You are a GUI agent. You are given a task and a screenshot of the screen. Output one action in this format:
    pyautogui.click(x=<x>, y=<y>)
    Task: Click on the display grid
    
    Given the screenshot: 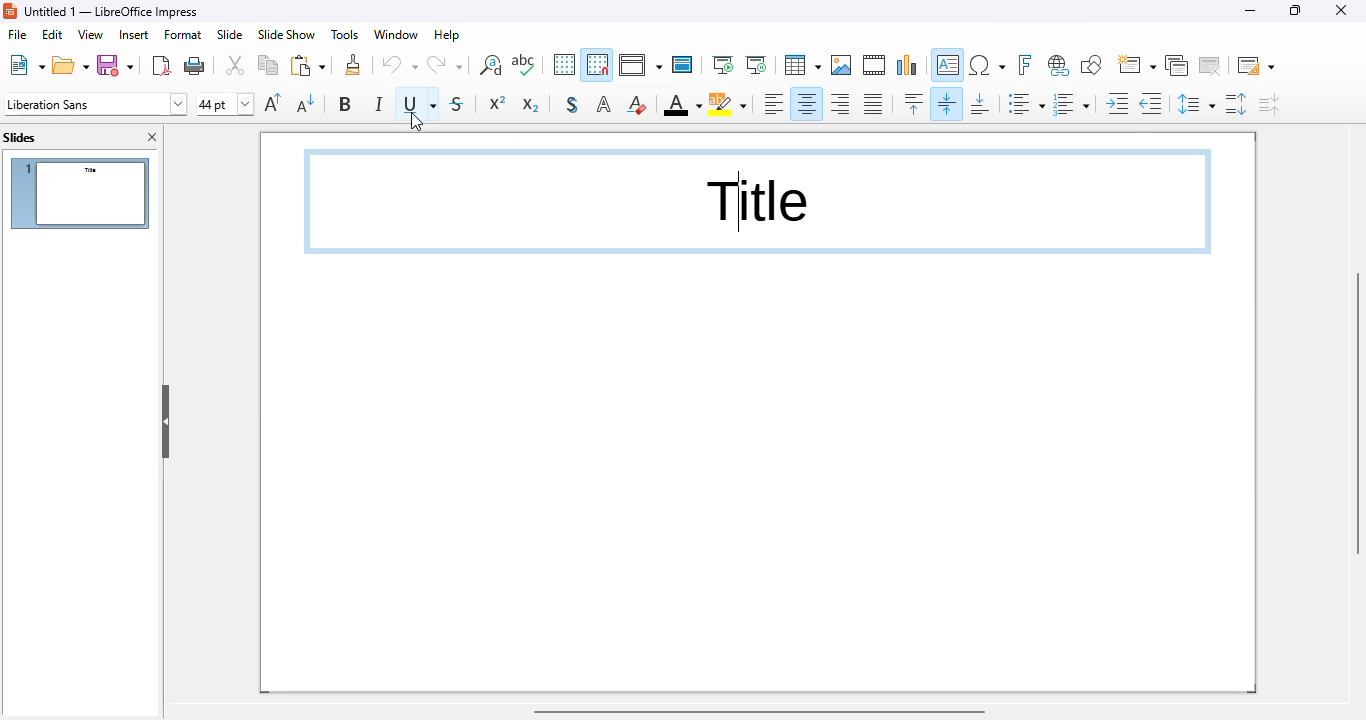 What is the action you would take?
    pyautogui.click(x=564, y=65)
    